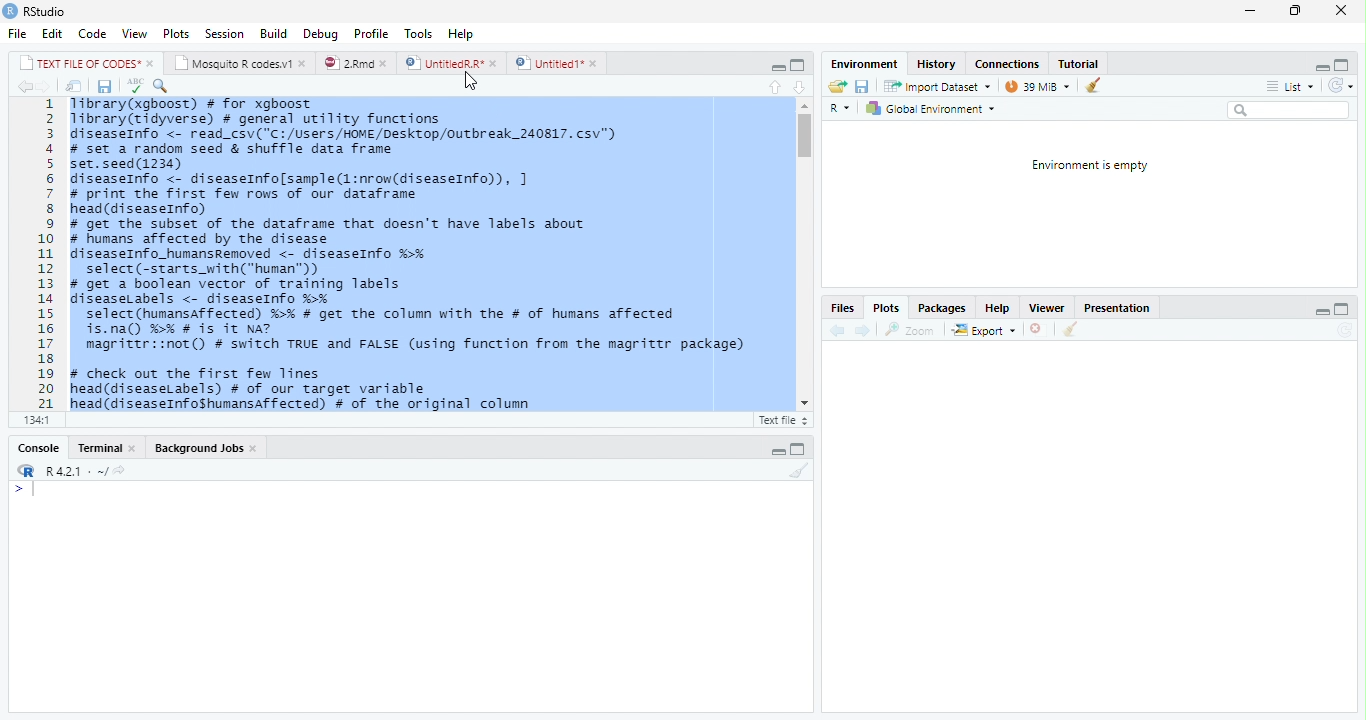 The image size is (1366, 720). Describe the element at coordinates (842, 308) in the screenshot. I see `Files` at that location.